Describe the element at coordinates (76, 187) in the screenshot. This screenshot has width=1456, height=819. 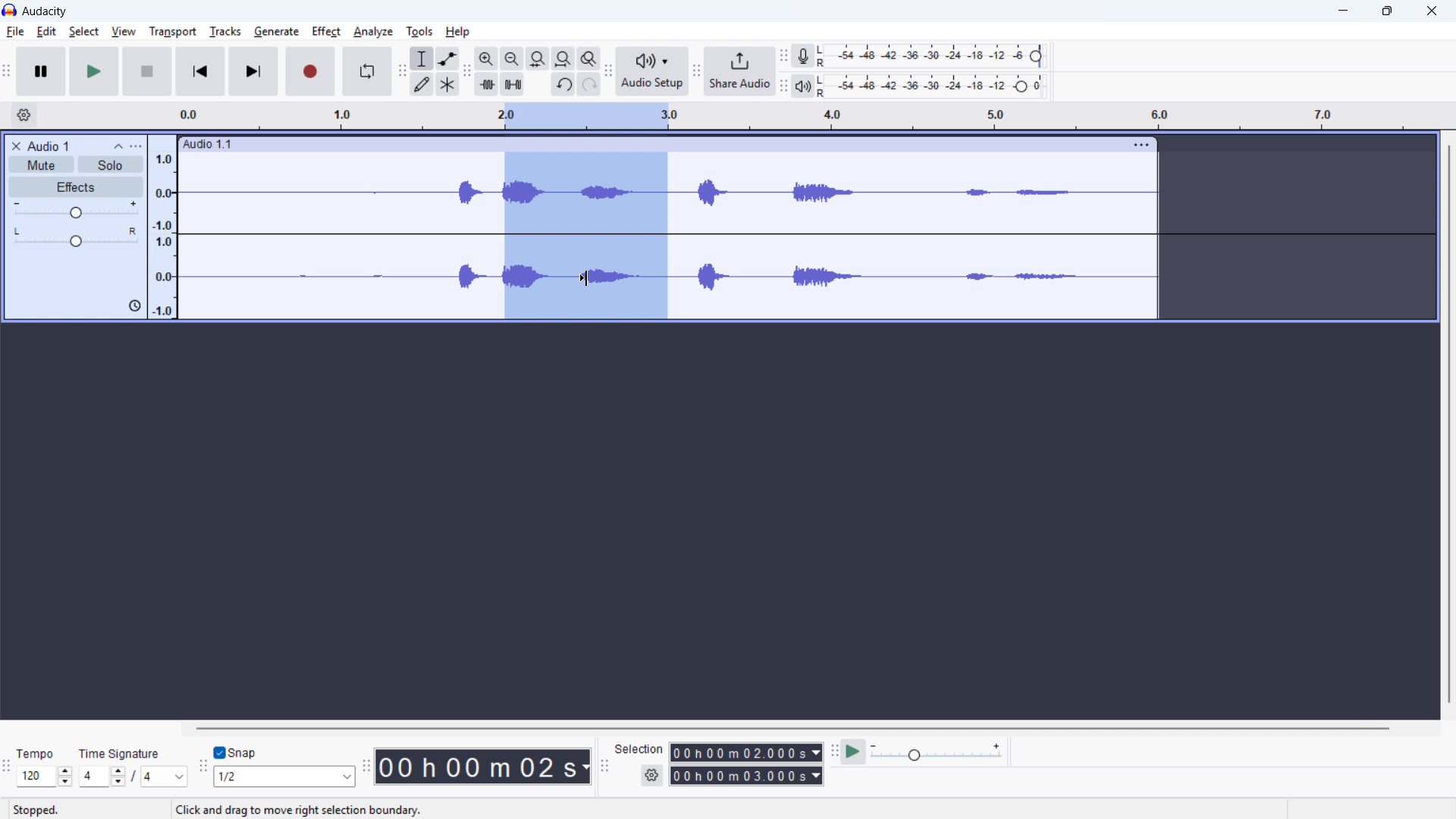
I see `Effects` at that location.